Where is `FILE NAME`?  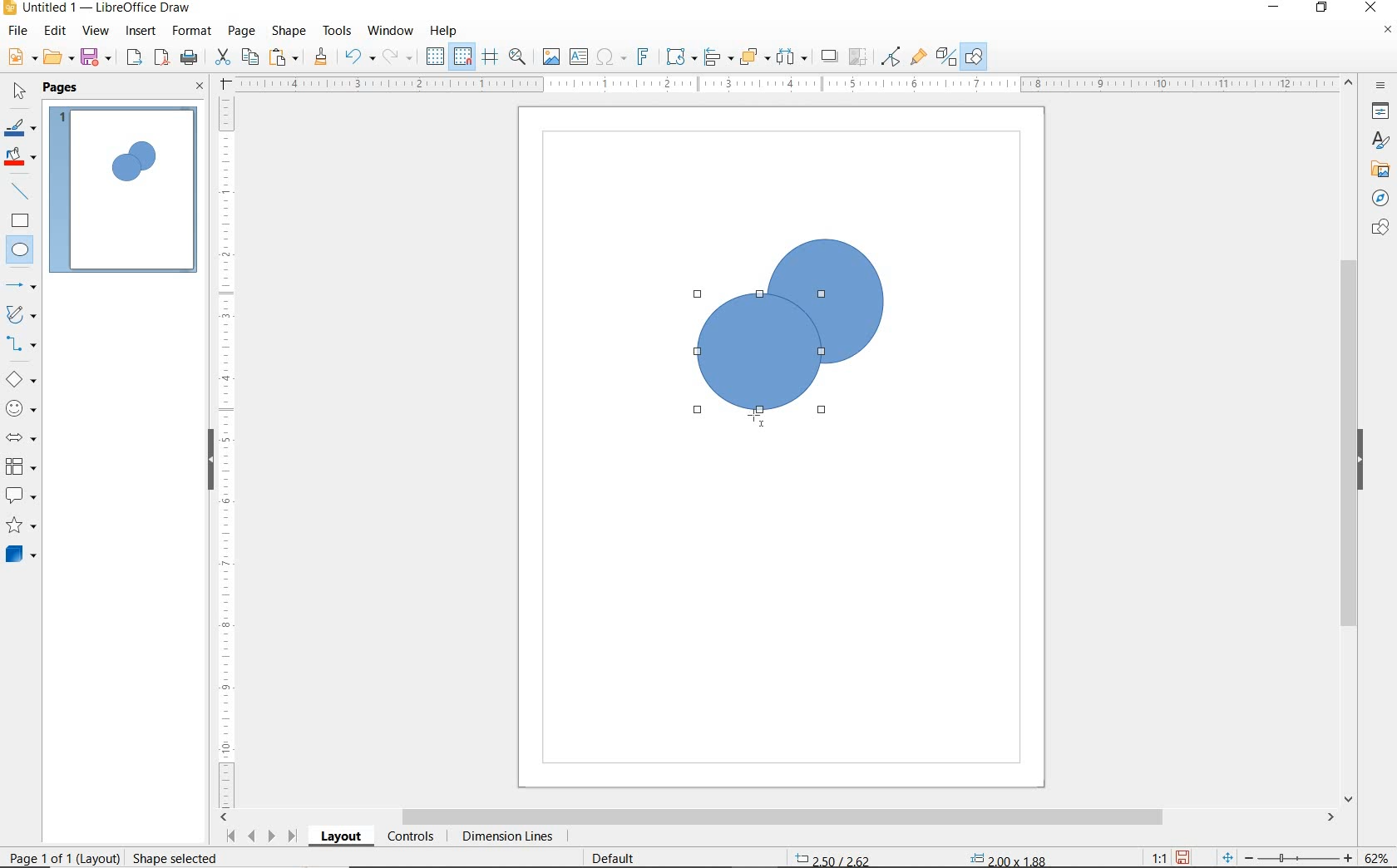 FILE NAME is located at coordinates (96, 9).